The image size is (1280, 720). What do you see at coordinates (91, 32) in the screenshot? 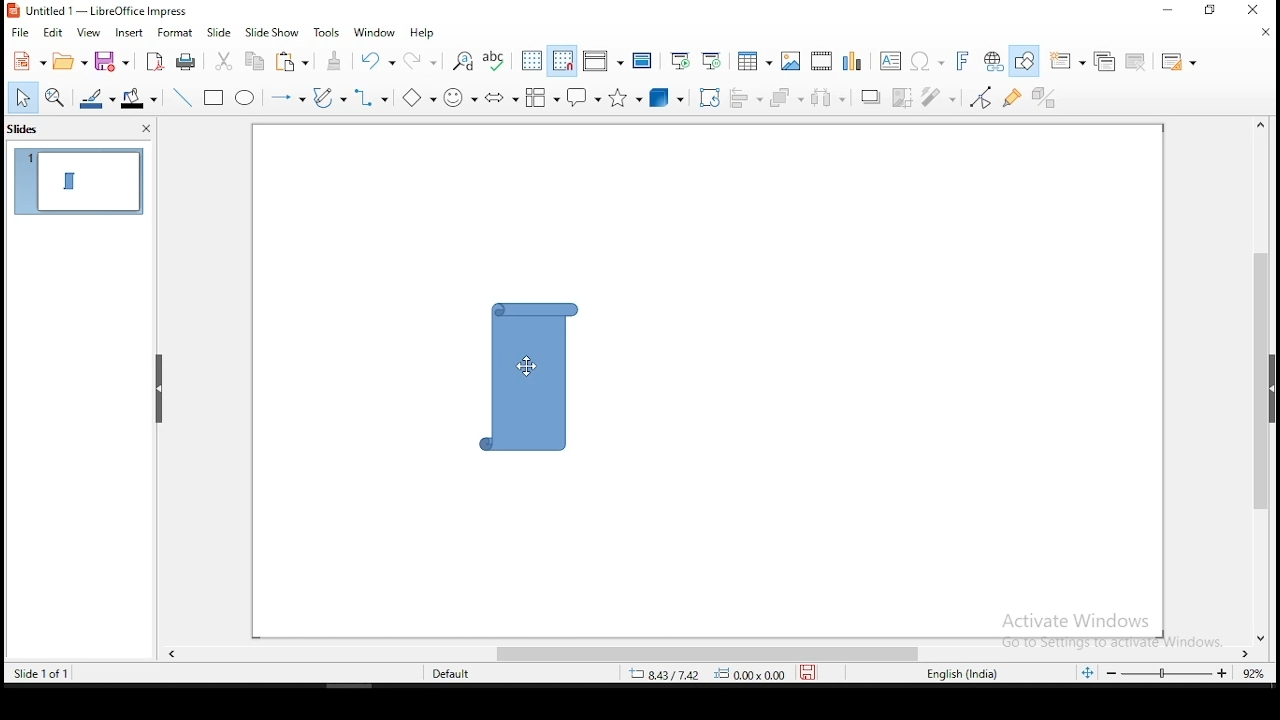
I see `view` at bounding box center [91, 32].